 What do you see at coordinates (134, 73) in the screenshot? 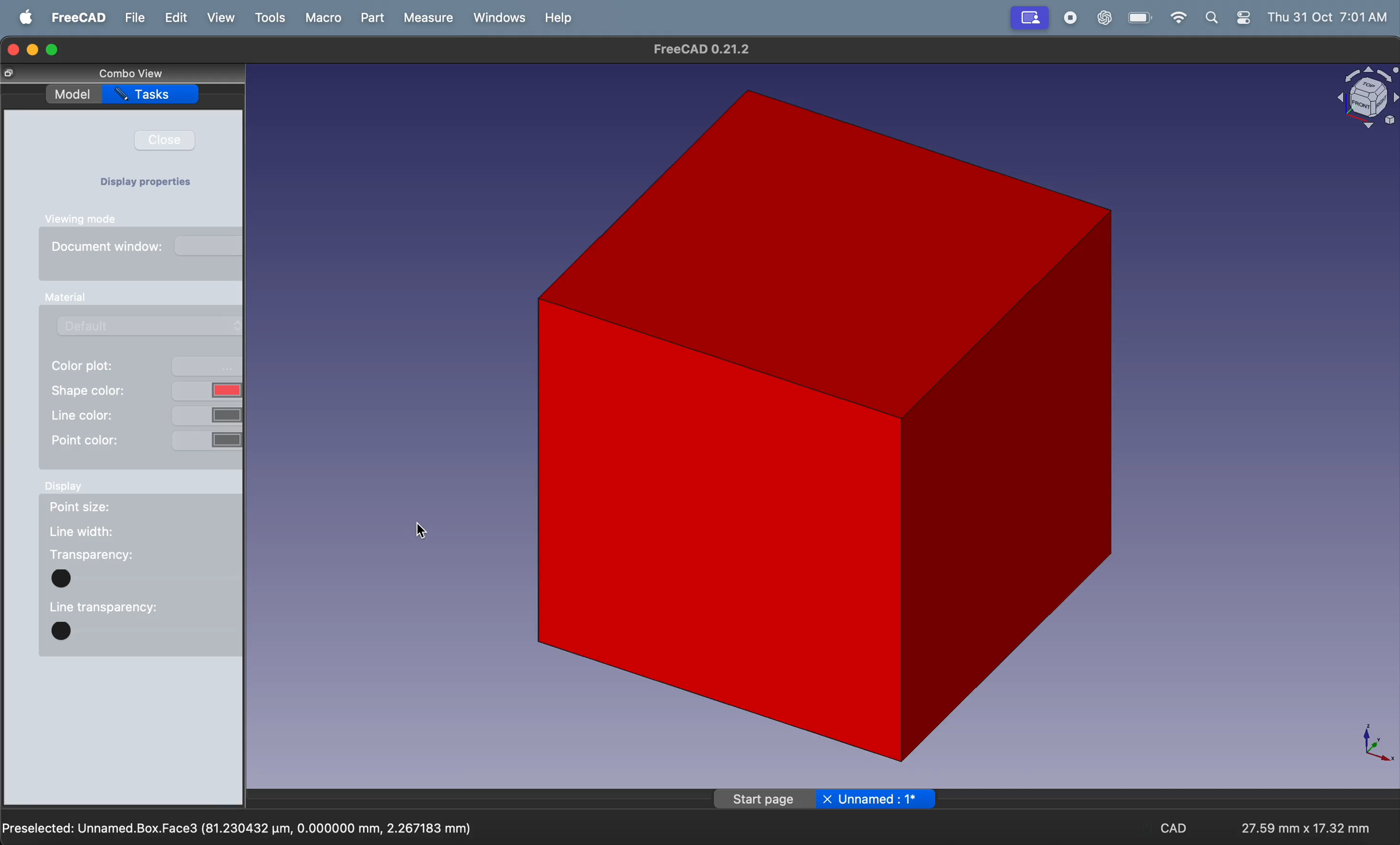
I see `combo view` at bounding box center [134, 73].